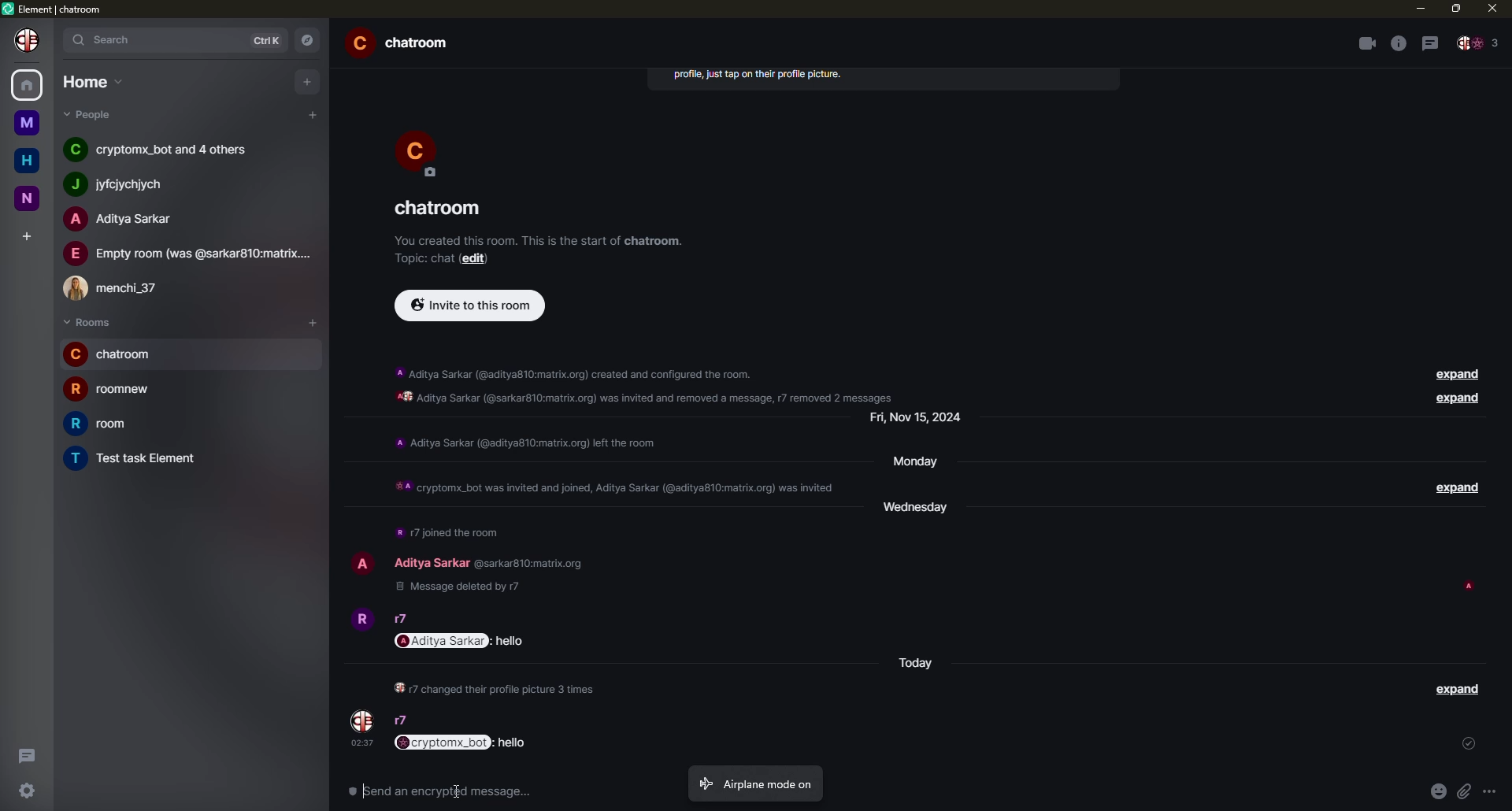 This screenshot has width=1512, height=811. Describe the element at coordinates (360, 620) in the screenshot. I see `profile` at that location.